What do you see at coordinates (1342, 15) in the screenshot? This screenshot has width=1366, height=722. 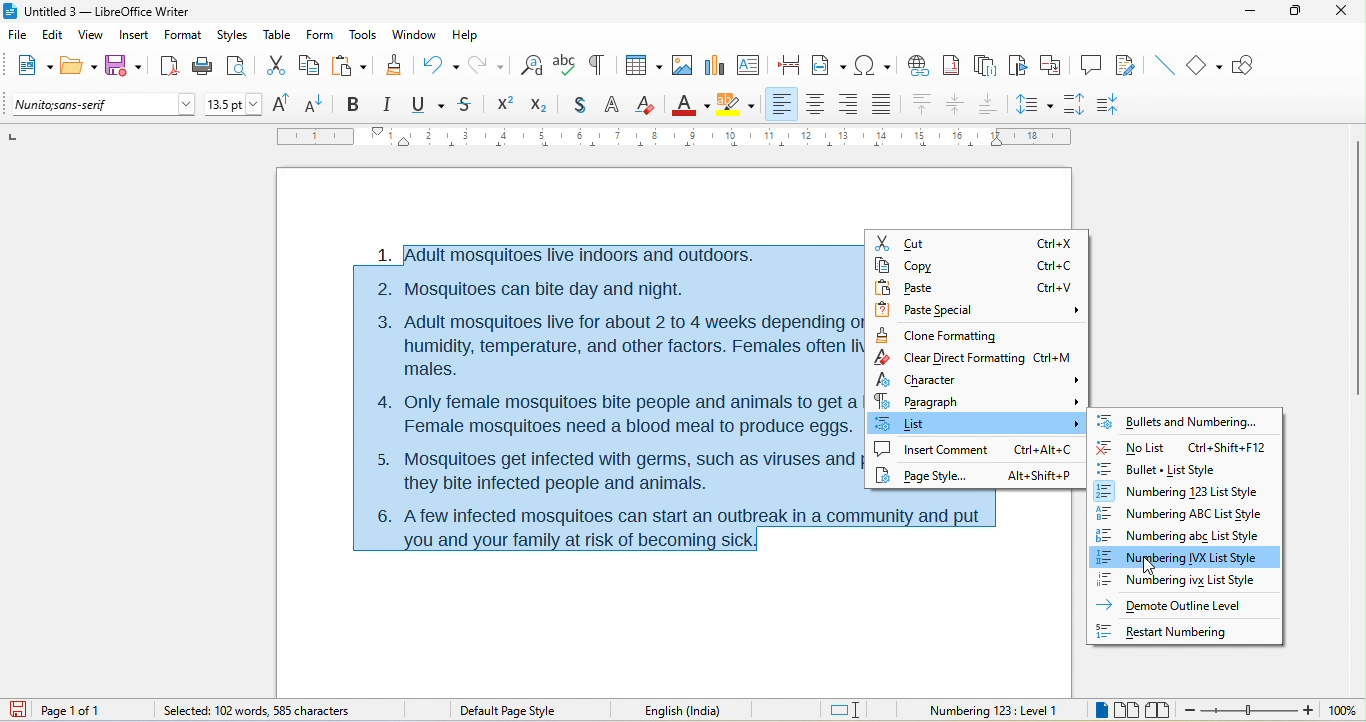 I see `close` at bounding box center [1342, 15].